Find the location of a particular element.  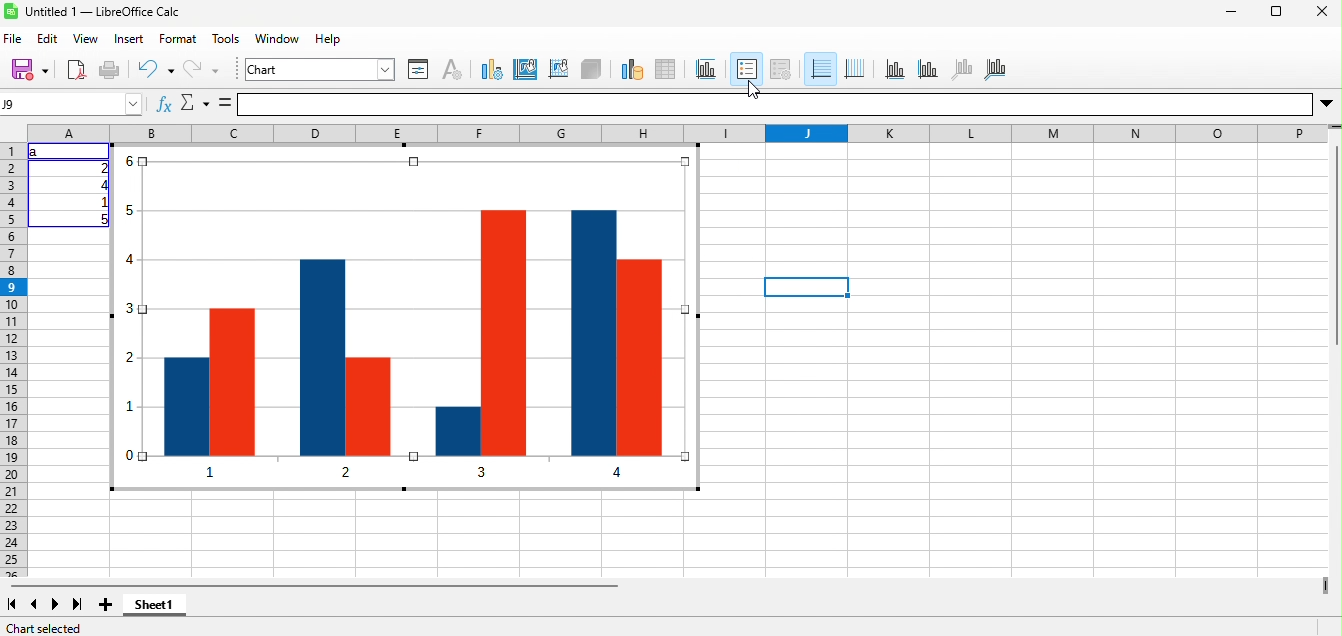

chart selected is located at coordinates (44, 628).